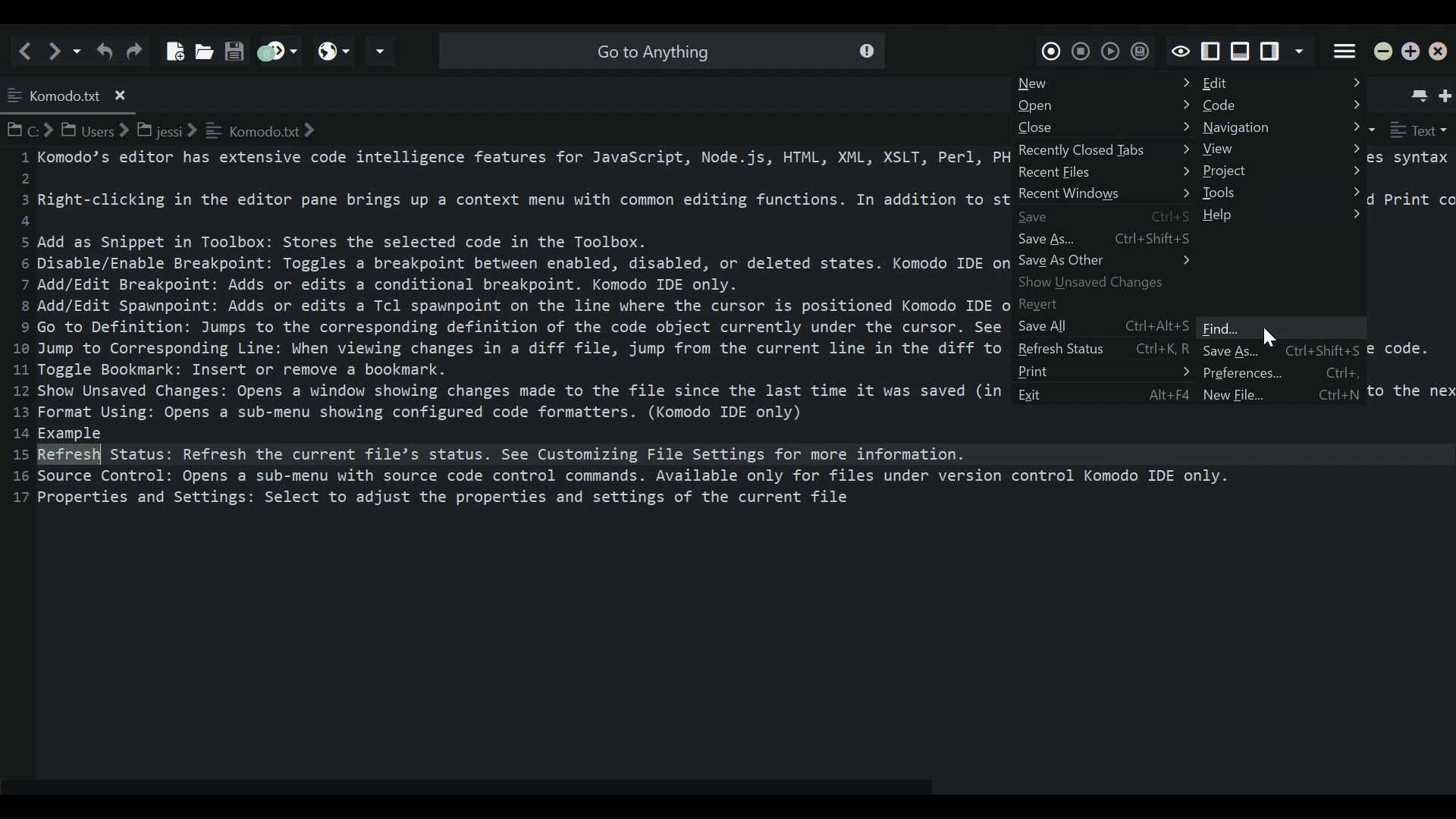 This screenshot has height=819, width=1456. What do you see at coordinates (477, 788) in the screenshot?
I see `Horizontal Scroll bar` at bounding box center [477, 788].